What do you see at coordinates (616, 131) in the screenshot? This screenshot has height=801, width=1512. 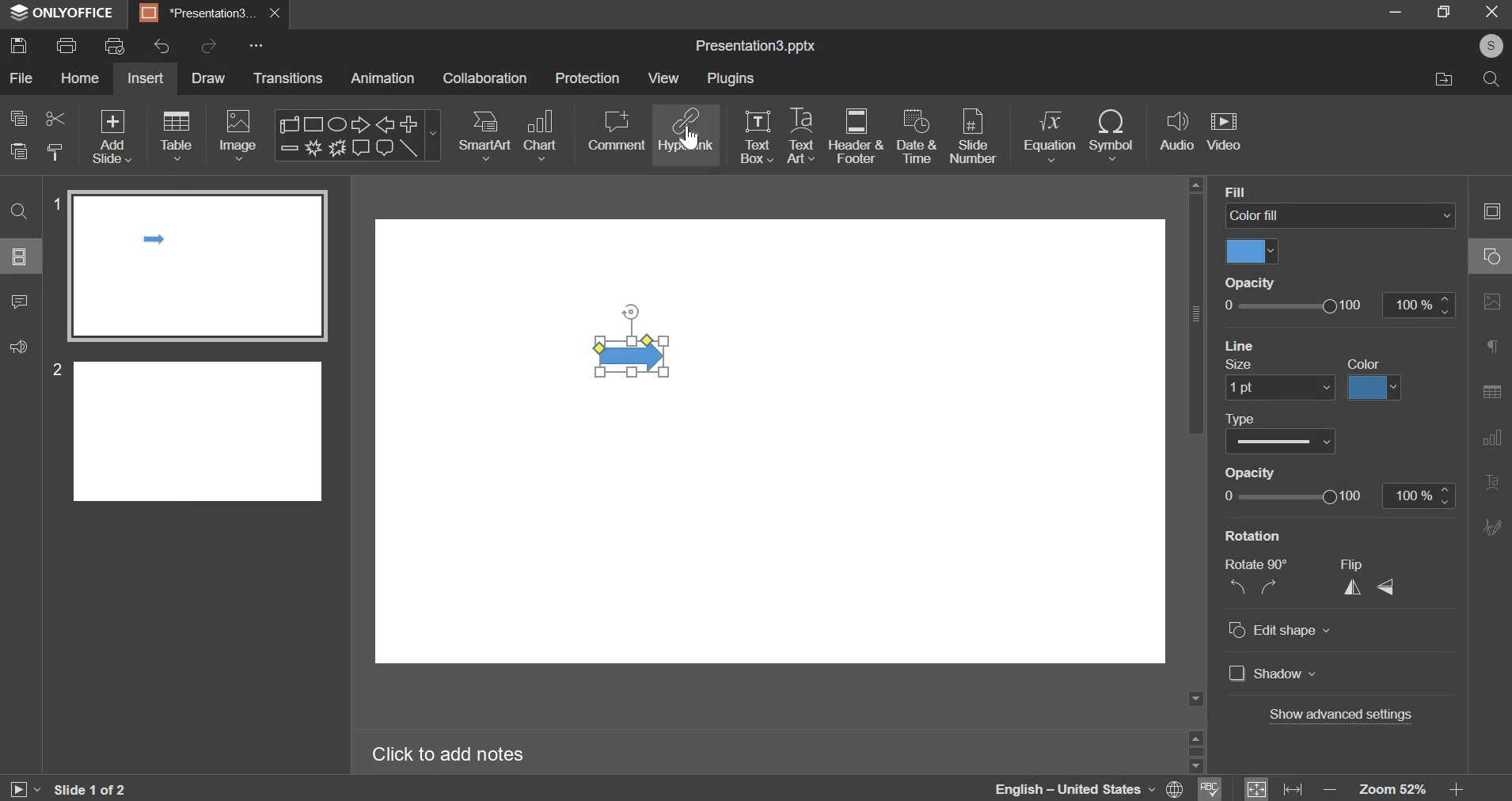 I see `comment` at bounding box center [616, 131].